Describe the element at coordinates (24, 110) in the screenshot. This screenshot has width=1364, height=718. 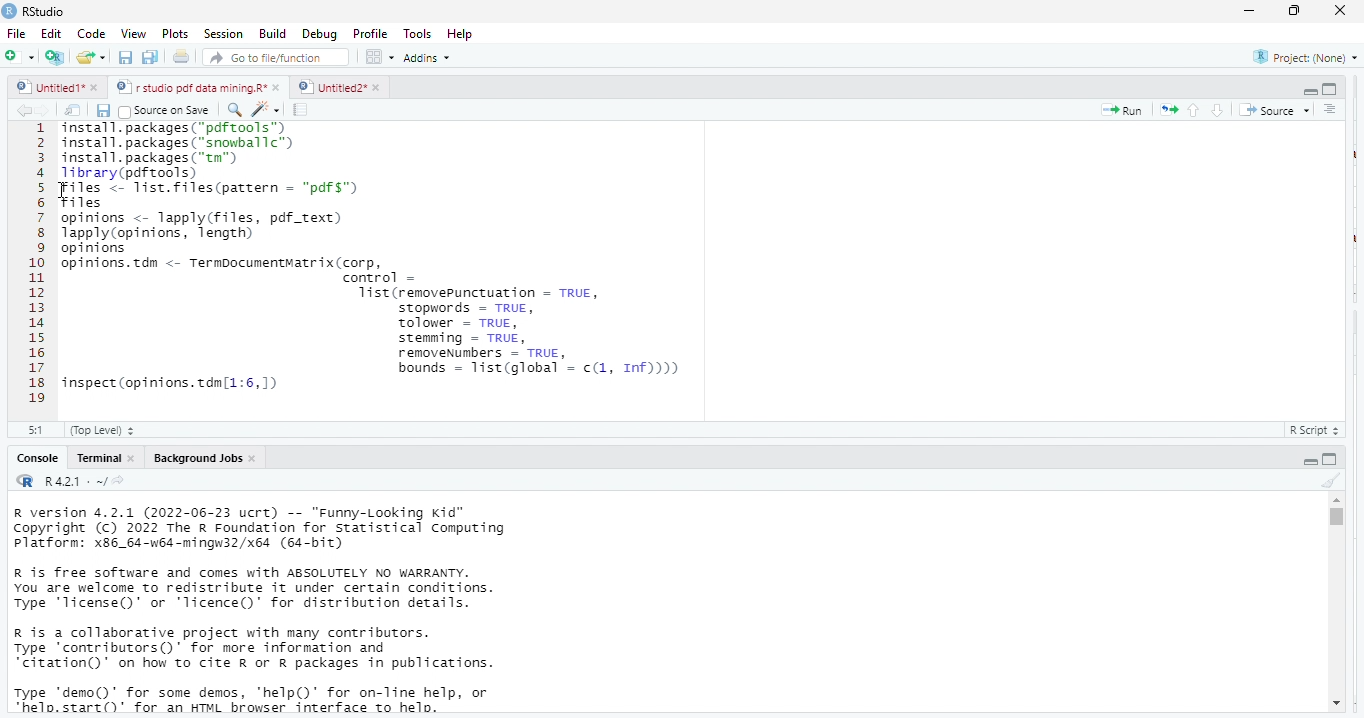
I see `go back to the previous source location` at that location.